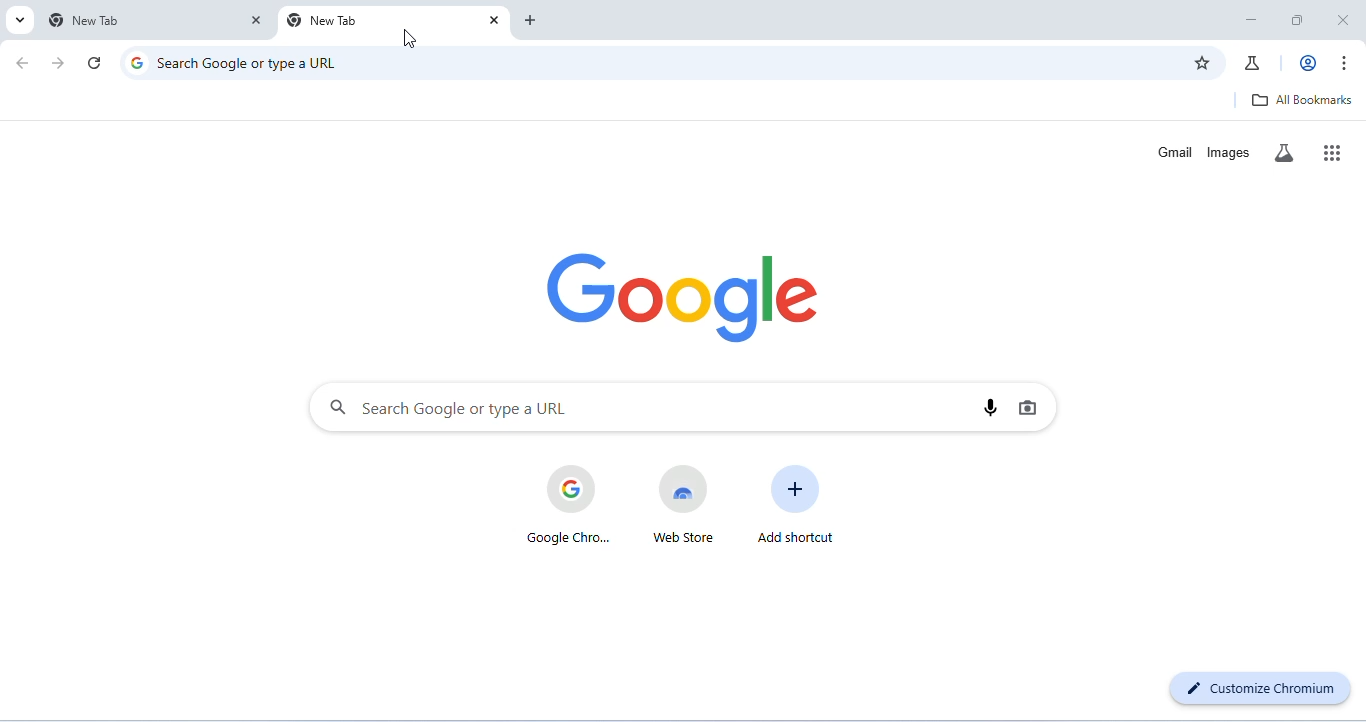 This screenshot has height=722, width=1366. I want to click on voice search, so click(990, 409).